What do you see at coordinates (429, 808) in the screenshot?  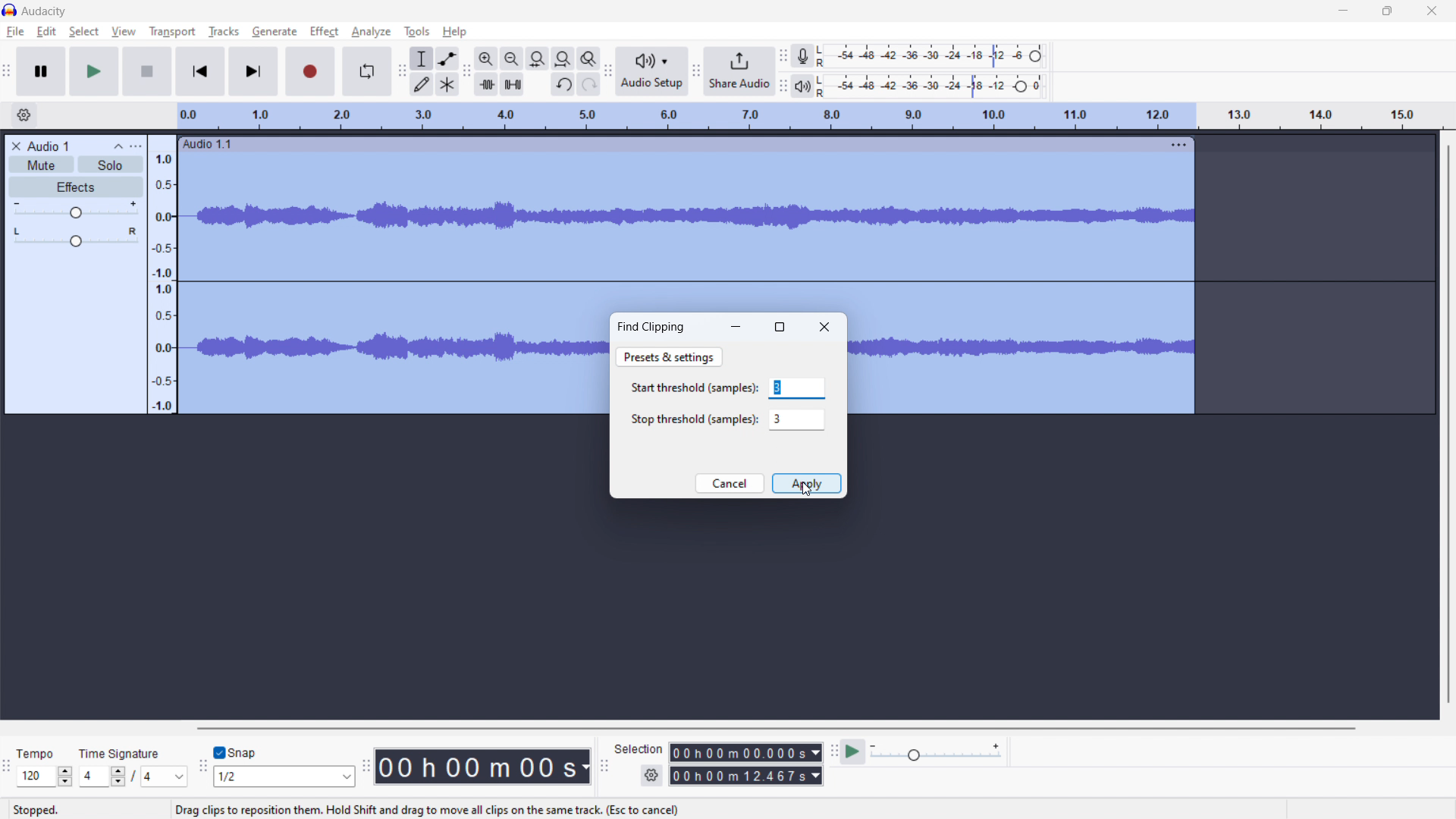 I see `Drag clips to reposition them. Hold Shift and drag to move all clips on the same track. (Esc to cancel)` at bounding box center [429, 808].